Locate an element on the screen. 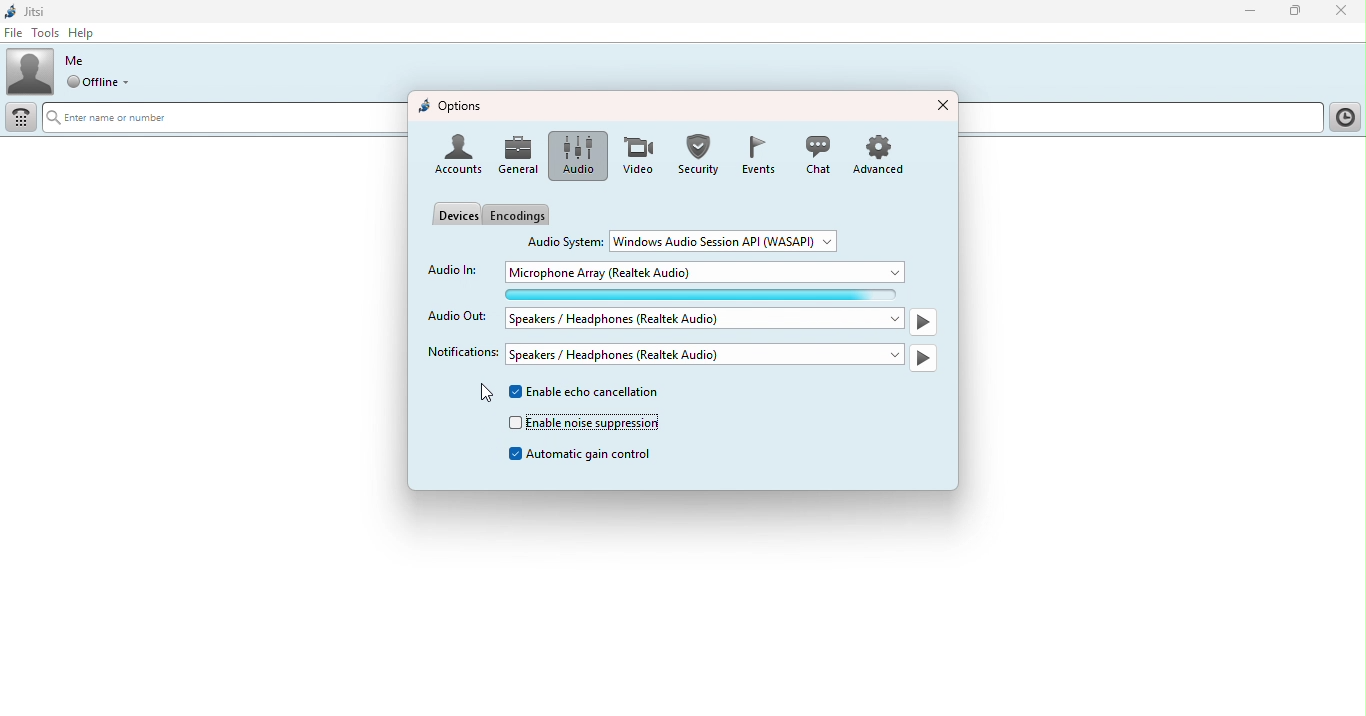 This screenshot has width=1366, height=716. General is located at coordinates (520, 156).